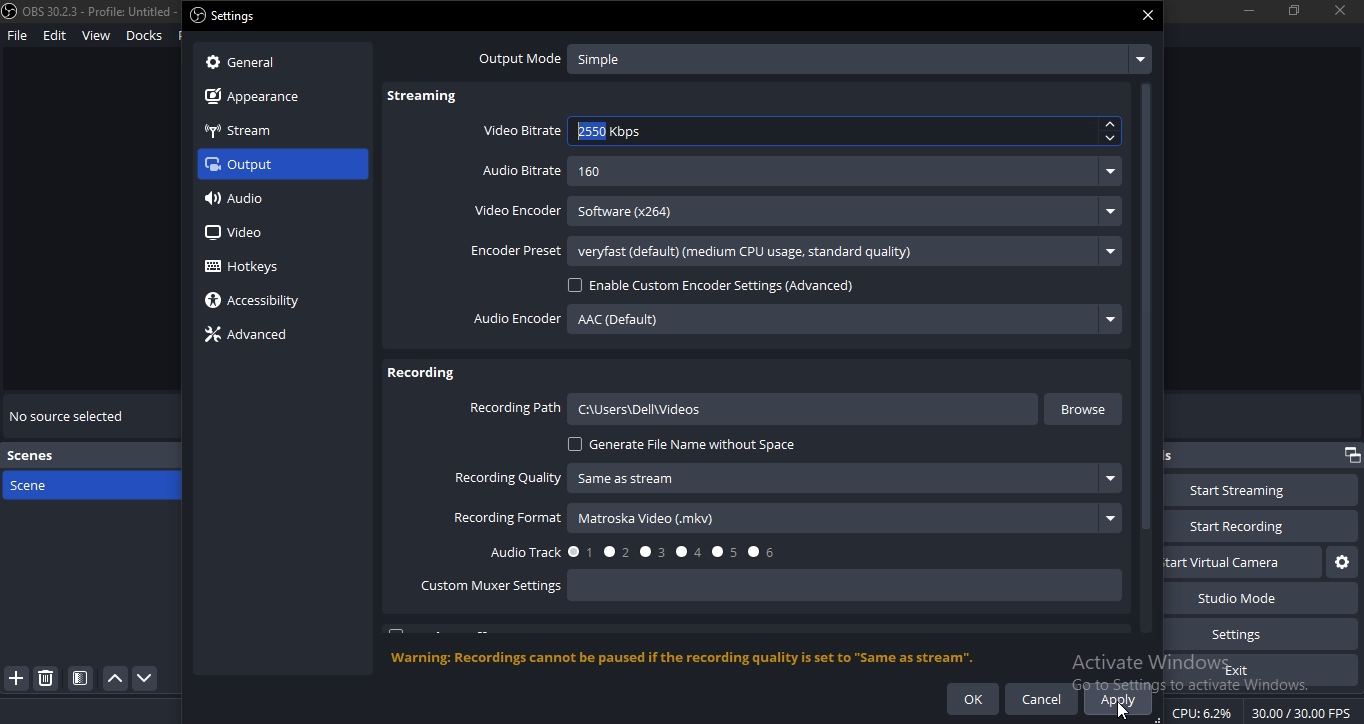  What do you see at coordinates (1350, 455) in the screenshot?
I see `restore` at bounding box center [1350, 455].